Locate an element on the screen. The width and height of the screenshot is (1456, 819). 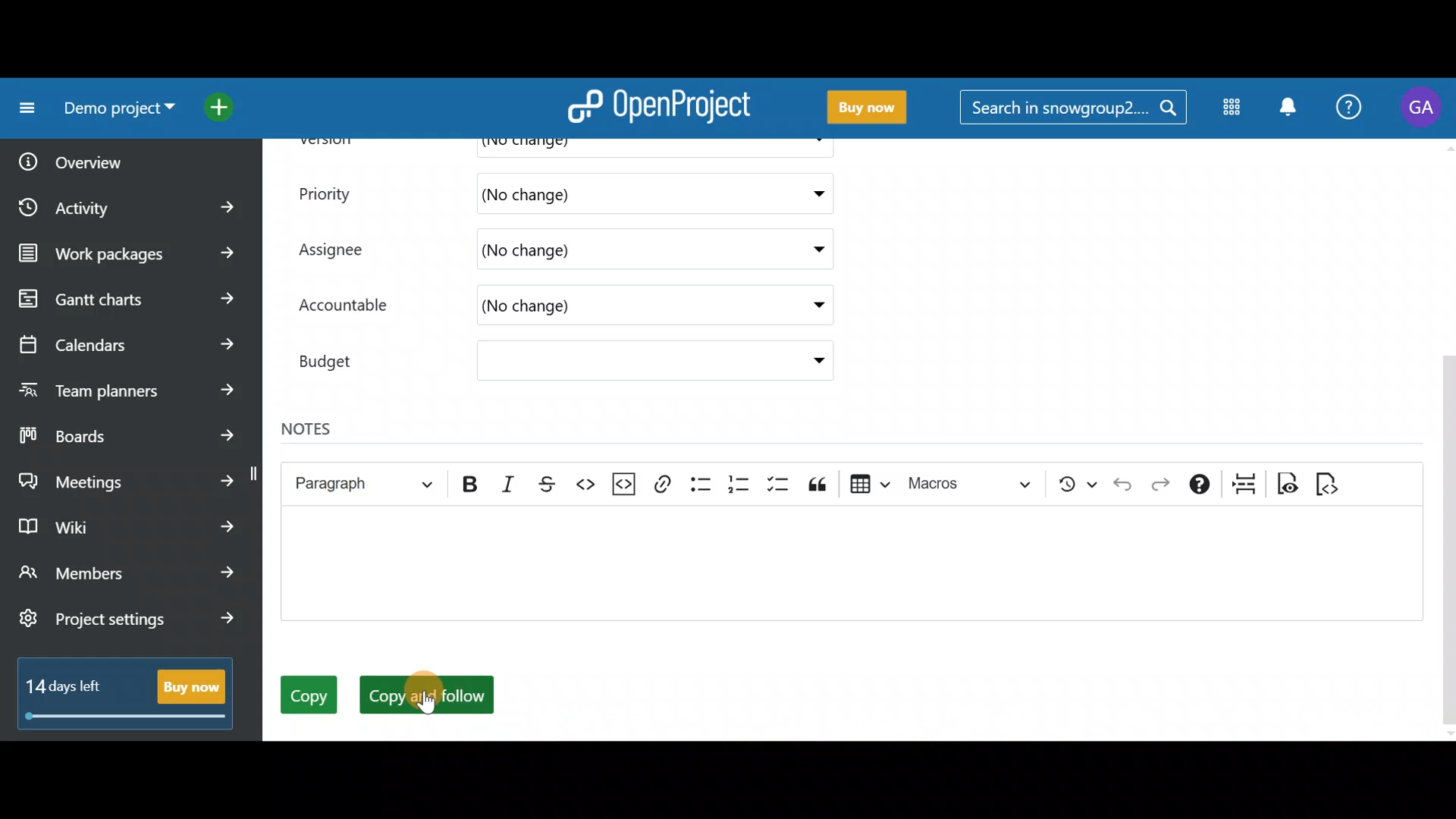
Notification centre is located at coordinates (1287, 108).